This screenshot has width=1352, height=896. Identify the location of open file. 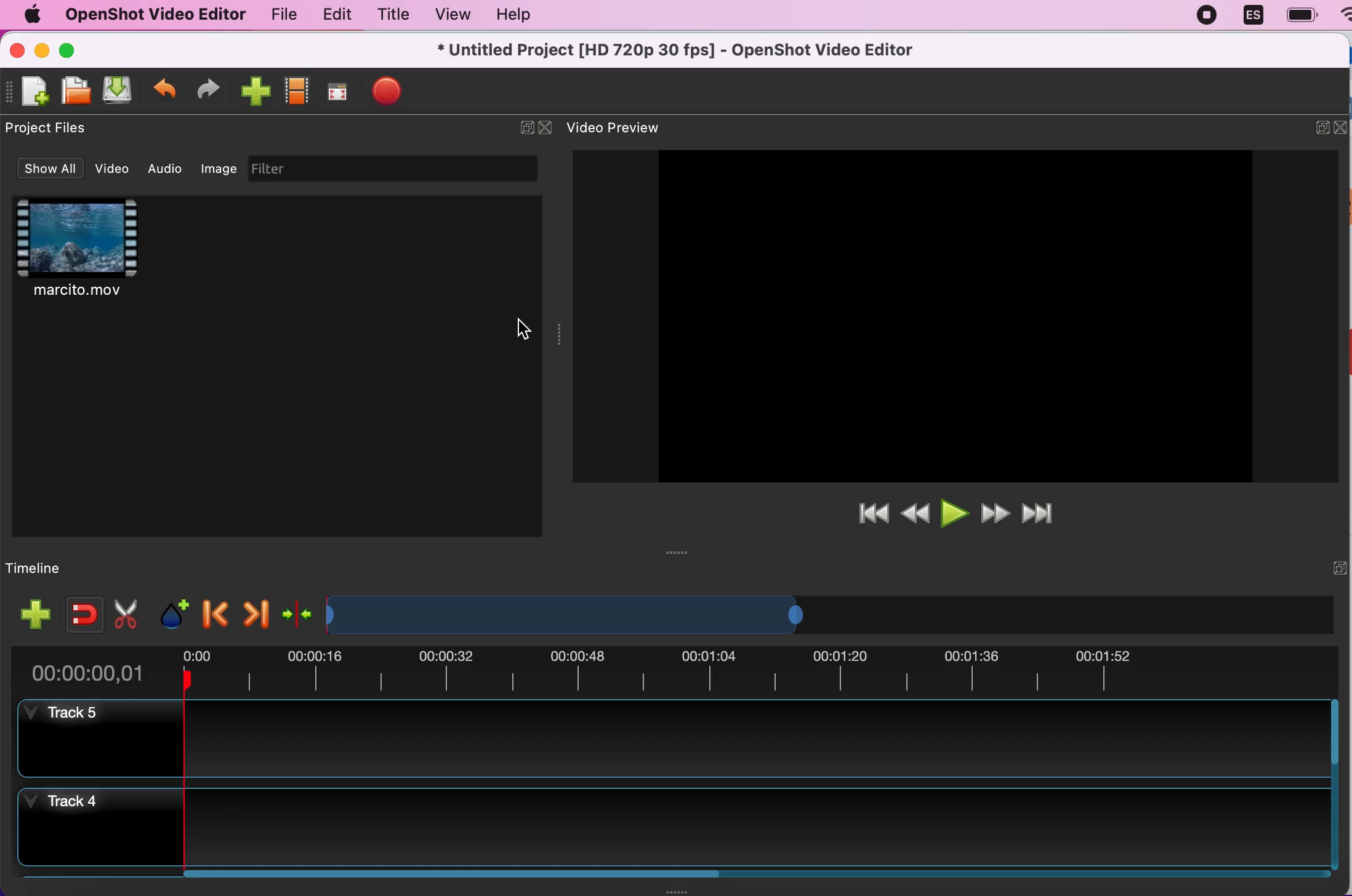
(76, 90).